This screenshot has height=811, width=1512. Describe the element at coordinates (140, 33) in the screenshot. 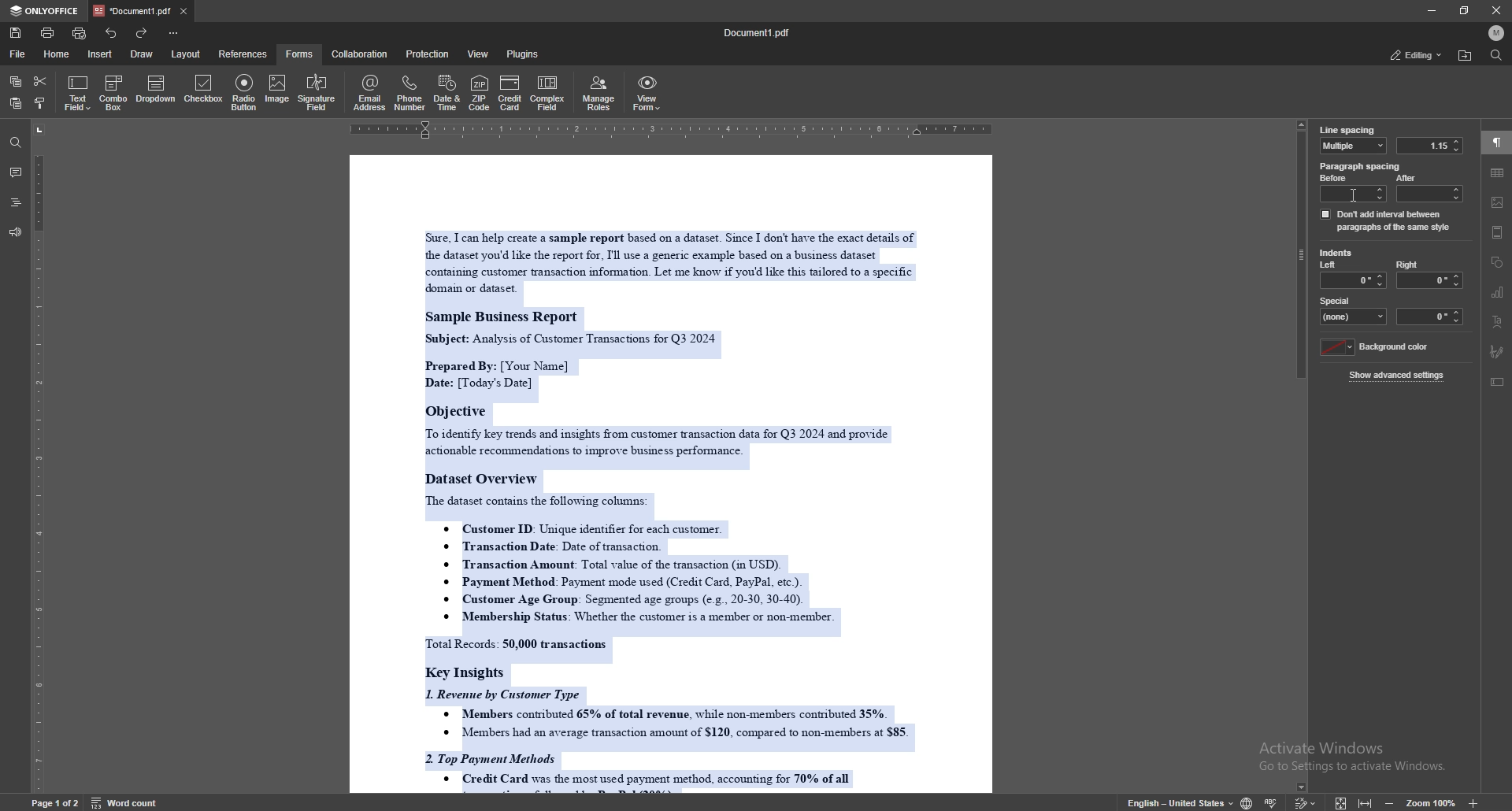

I see `redo` at that location.